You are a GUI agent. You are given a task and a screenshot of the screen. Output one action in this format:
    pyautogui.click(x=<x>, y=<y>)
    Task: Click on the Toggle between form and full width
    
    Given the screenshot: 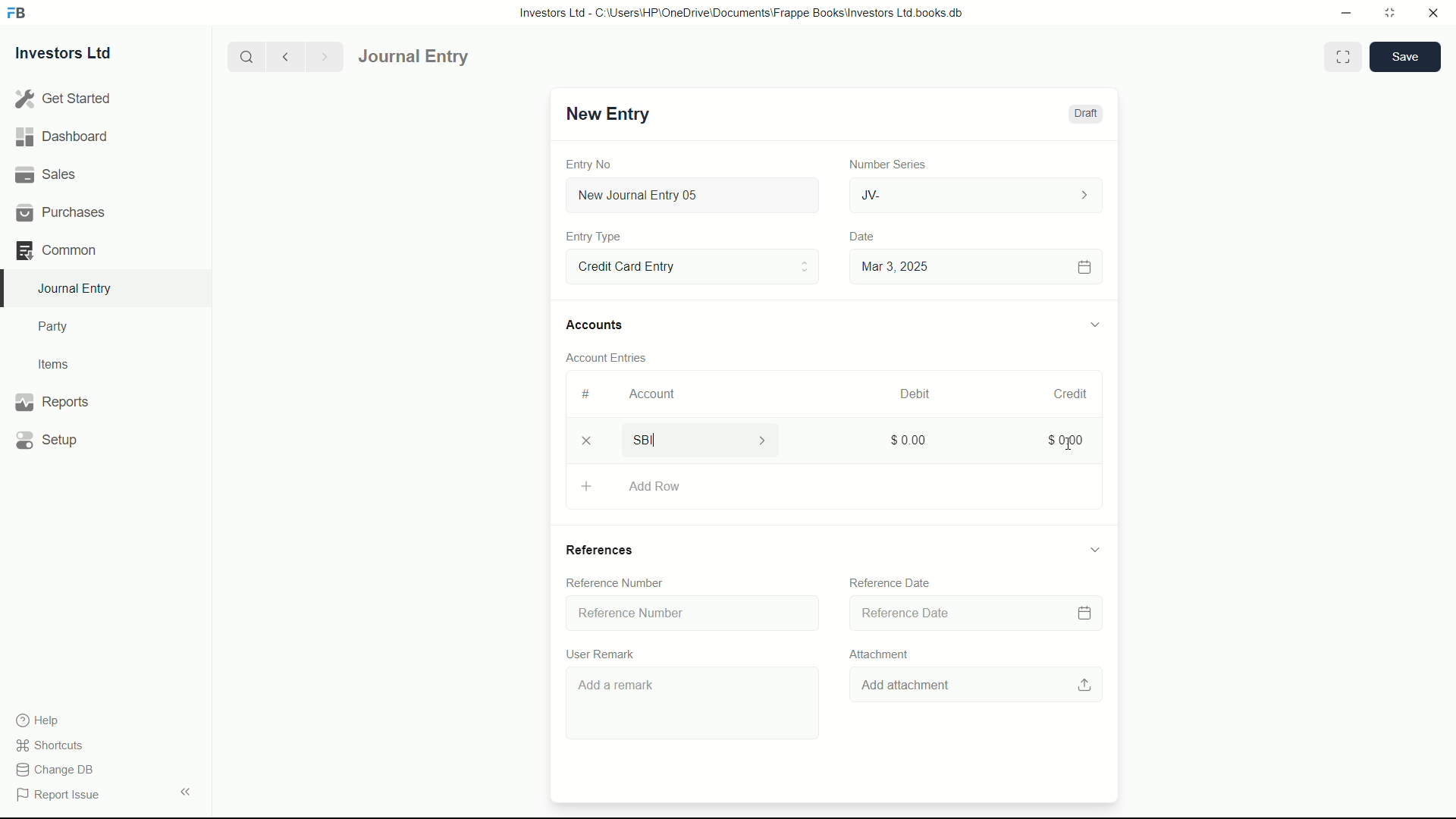 What is the action you would take?
    pyautogui.click(x=1344, y=57)
    